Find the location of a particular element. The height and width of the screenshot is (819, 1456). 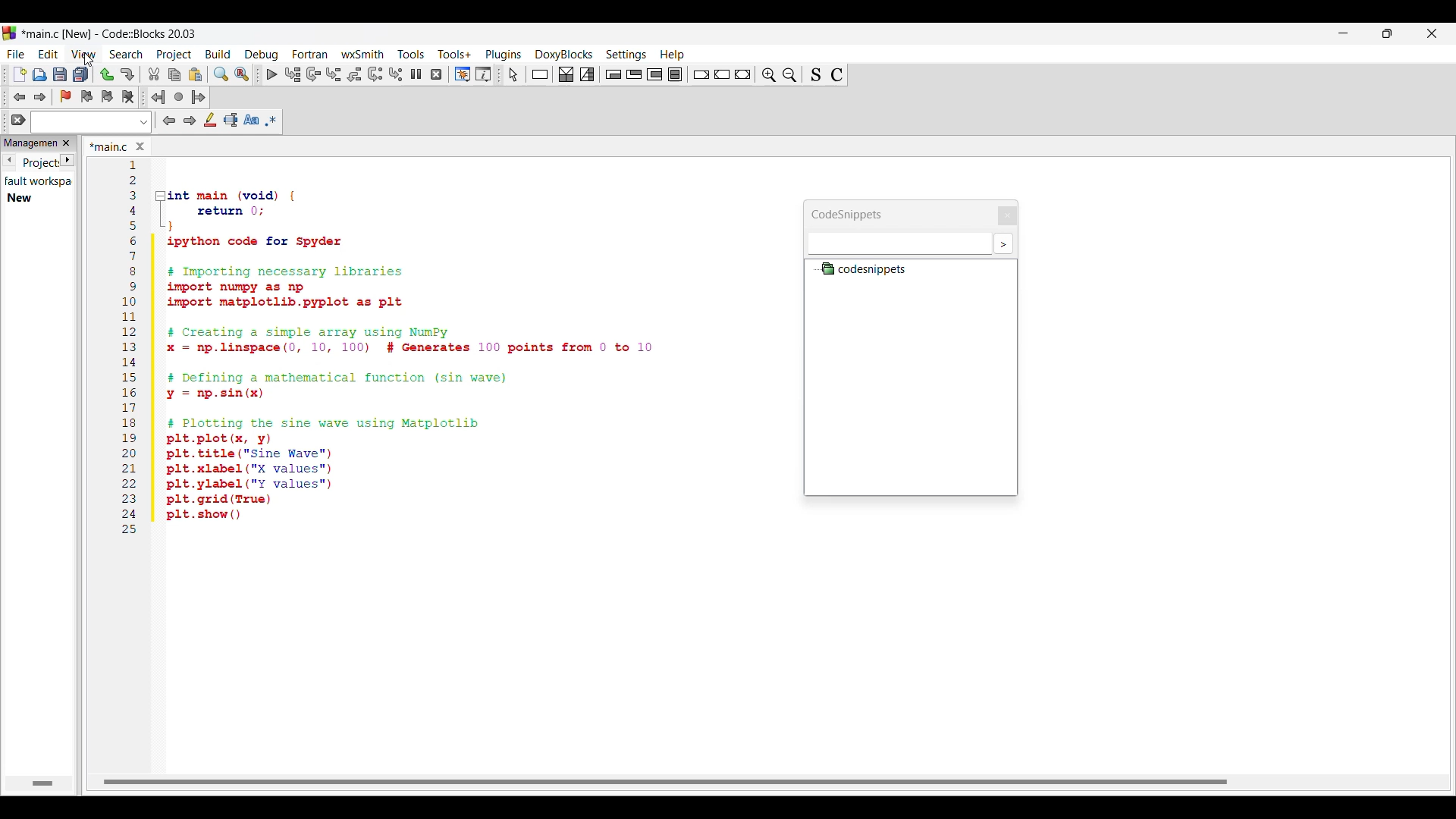

Debug menu is located at coordinates (262, 55).